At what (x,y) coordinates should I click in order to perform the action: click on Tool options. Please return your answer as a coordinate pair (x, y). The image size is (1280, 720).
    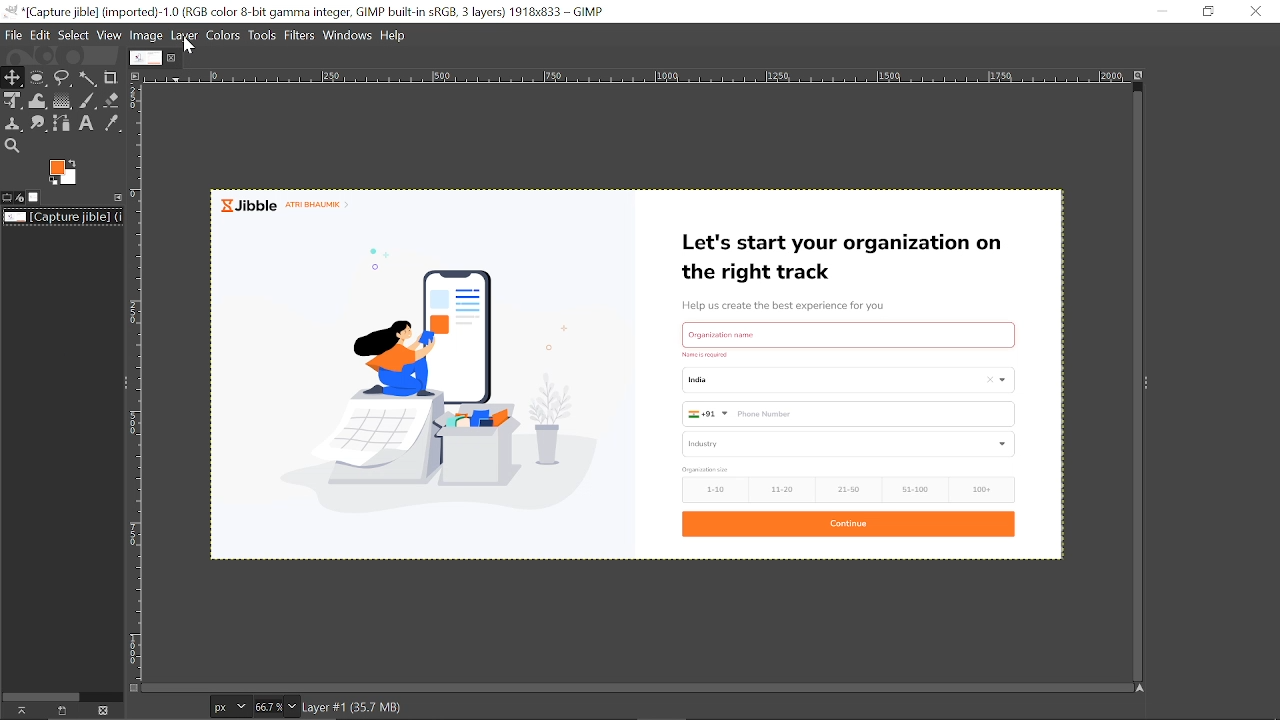
    Looking at the image, I should click on (7, 198).